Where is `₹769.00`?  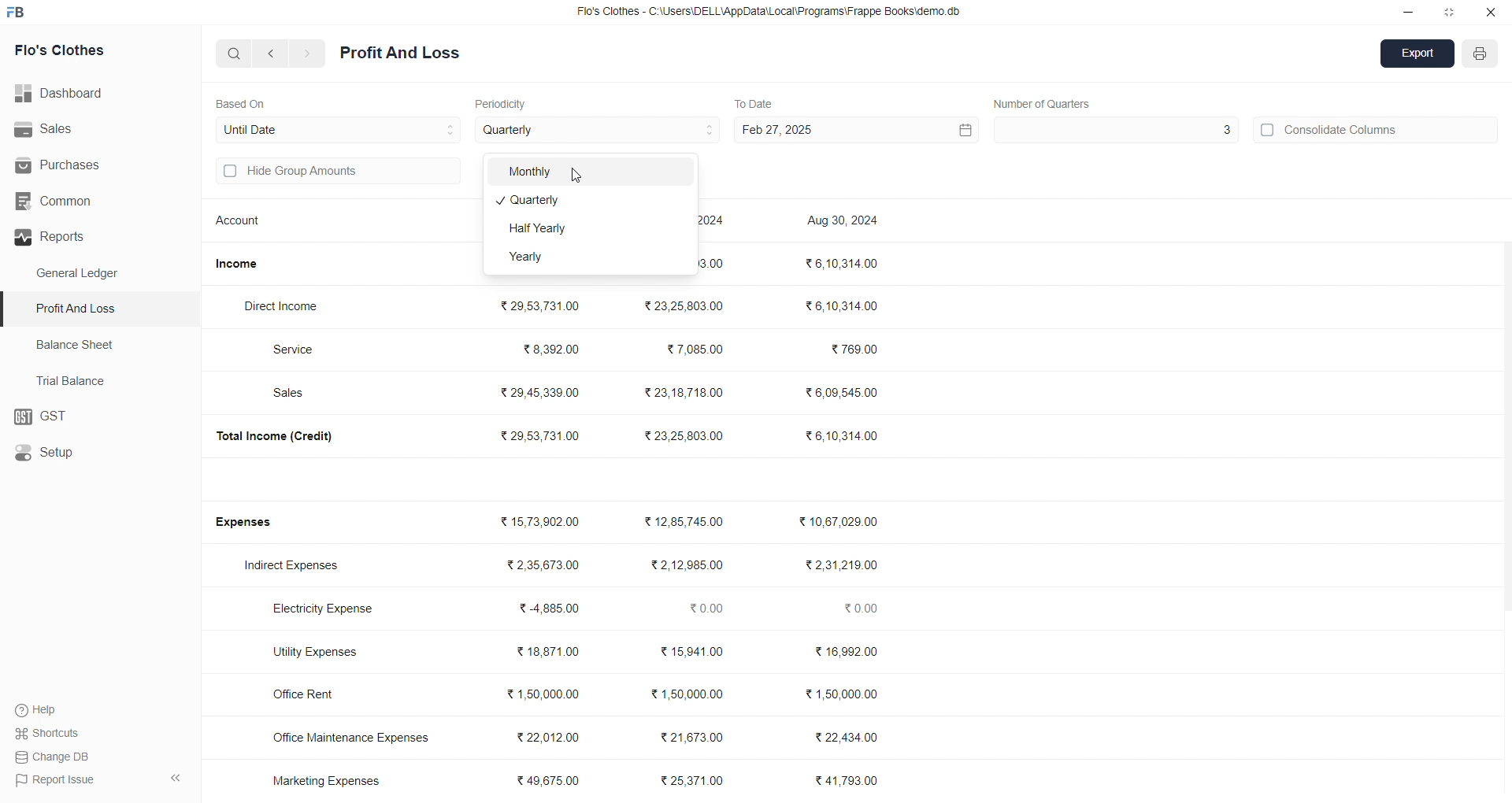 ₹769.00 is located at coordinates (856, 350).